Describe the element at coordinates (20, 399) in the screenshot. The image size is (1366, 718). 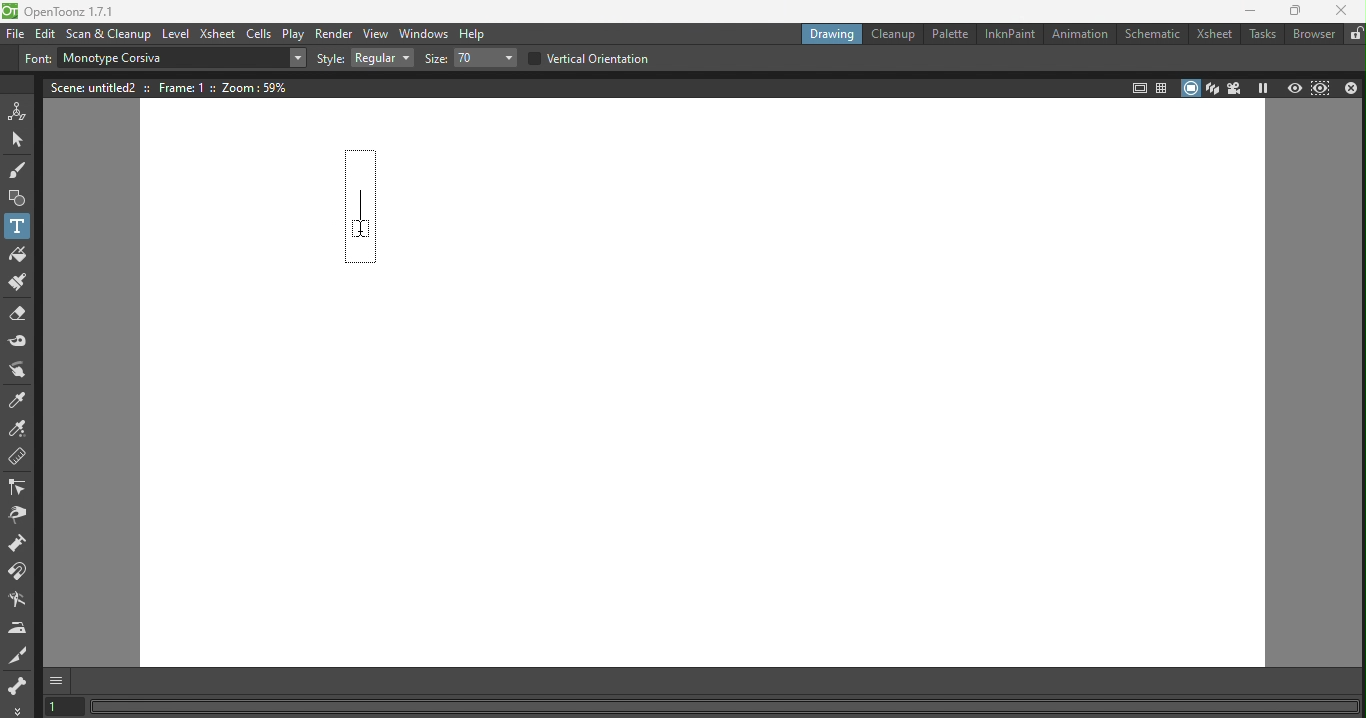
I see `Style picker tool` at that location.